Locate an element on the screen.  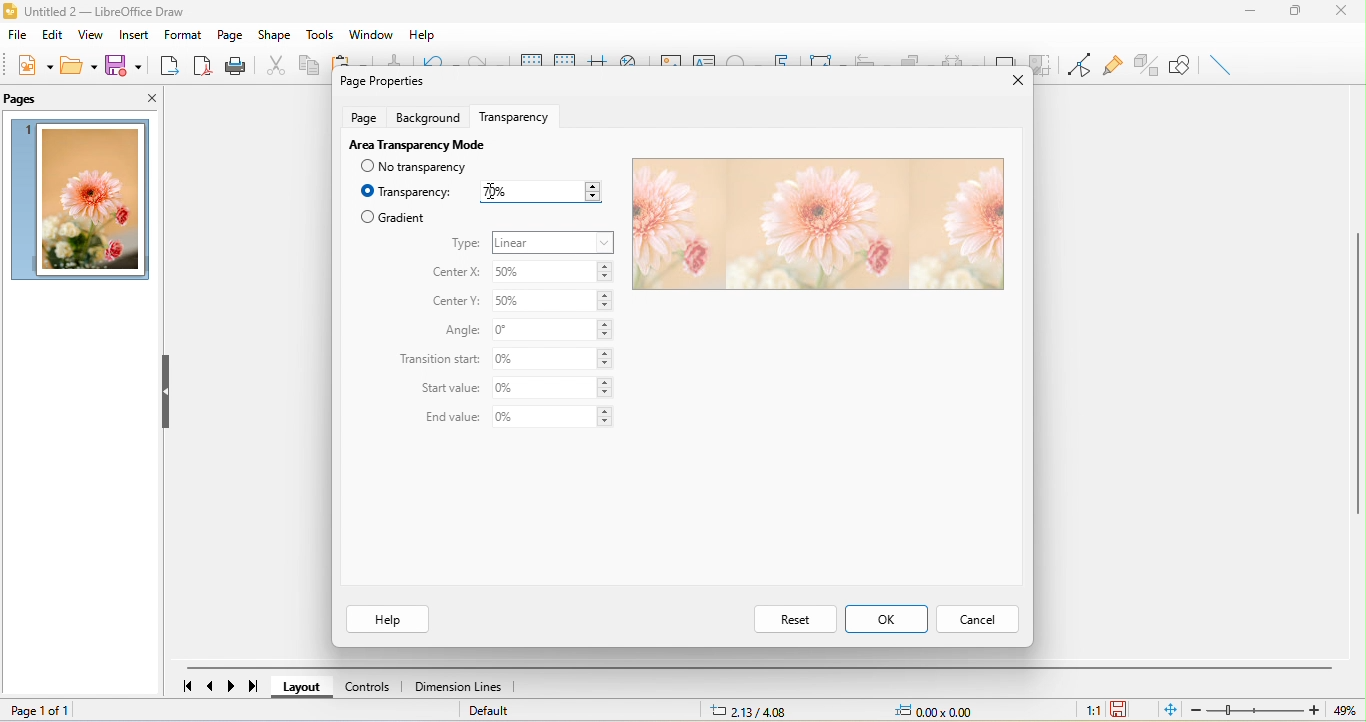
glue point function is located at coordinates (1112, 62).